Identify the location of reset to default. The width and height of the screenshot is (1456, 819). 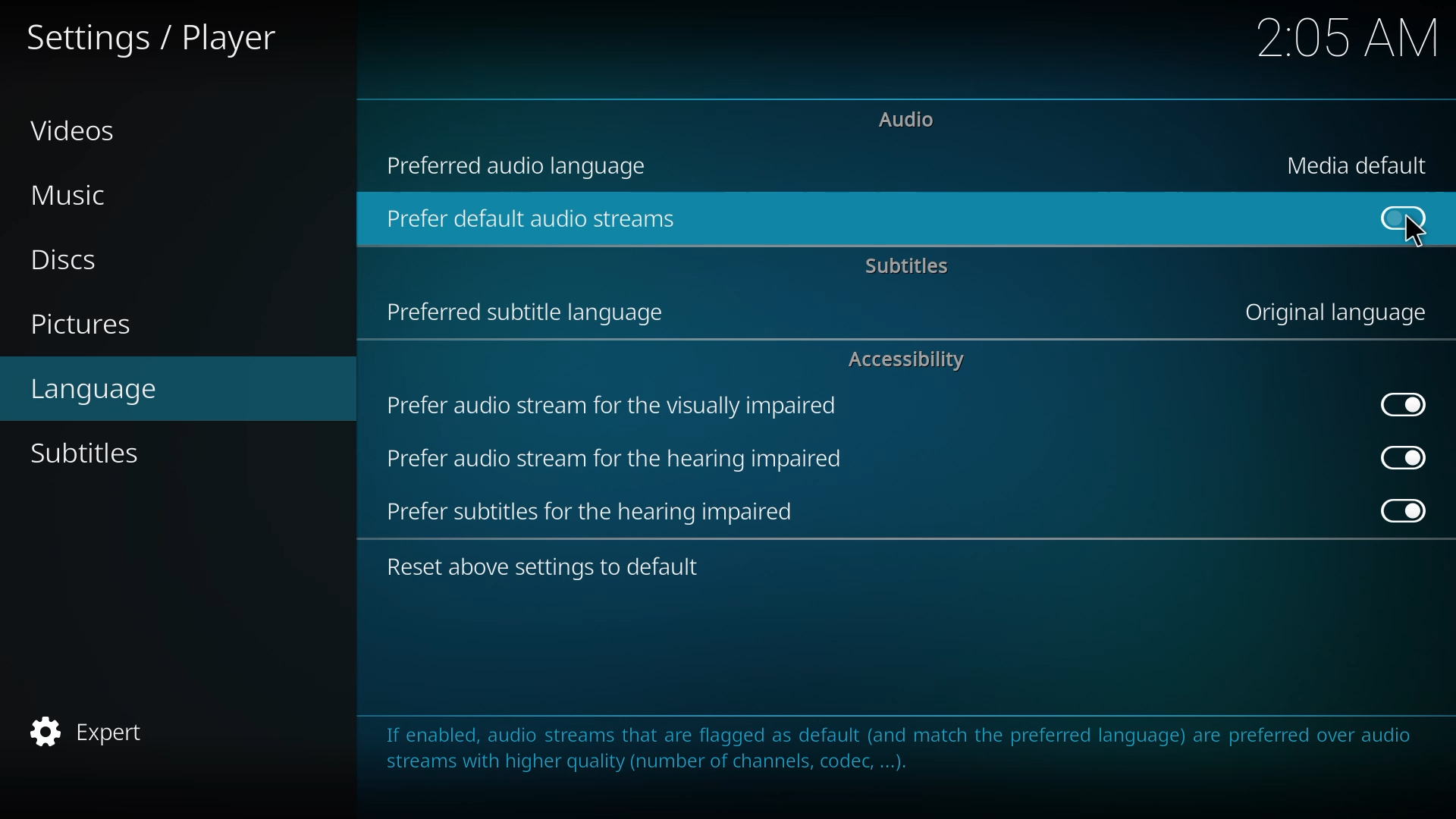
(551, 565).